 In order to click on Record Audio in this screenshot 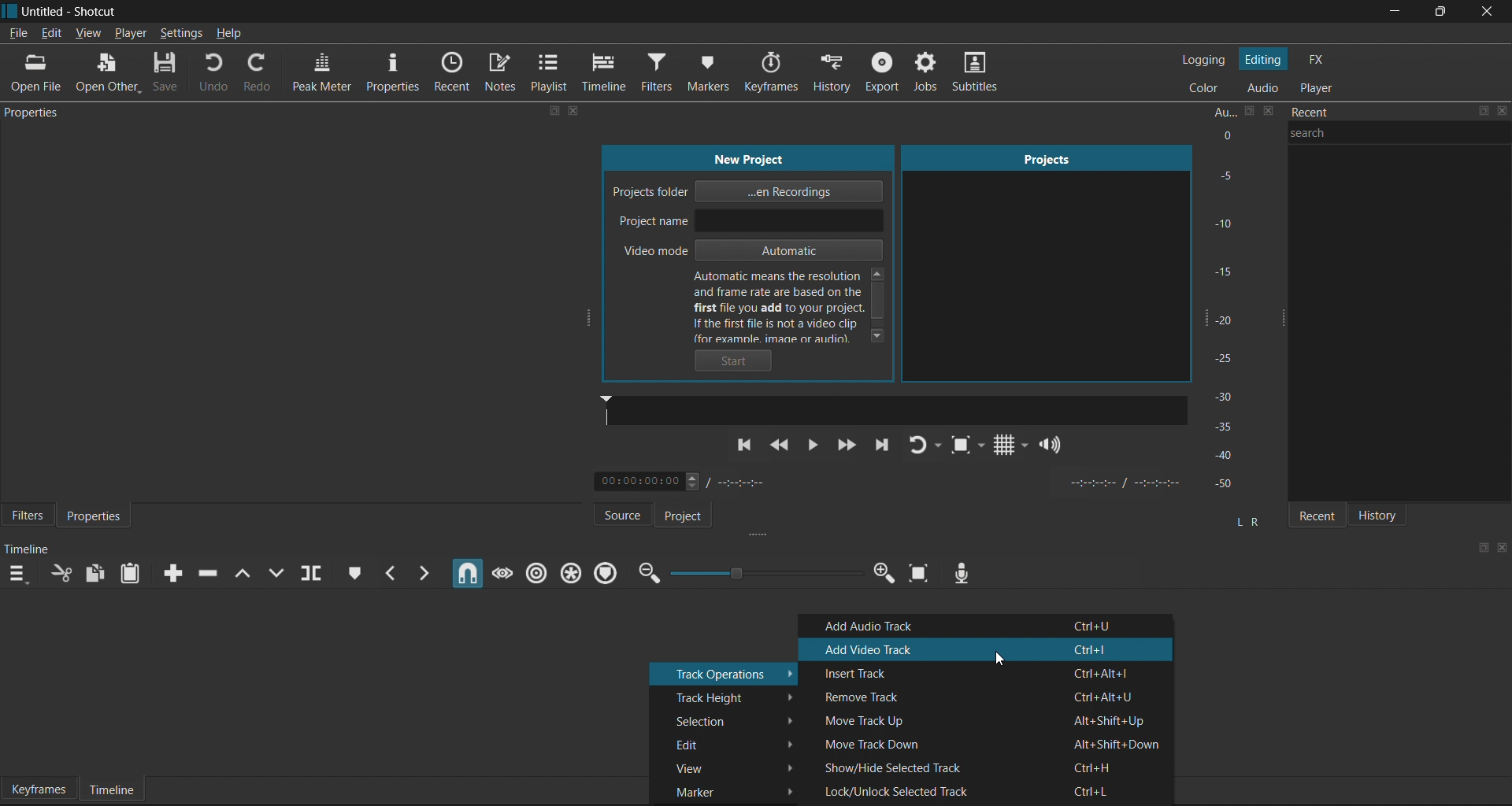, I will do `click(960, 571)`.